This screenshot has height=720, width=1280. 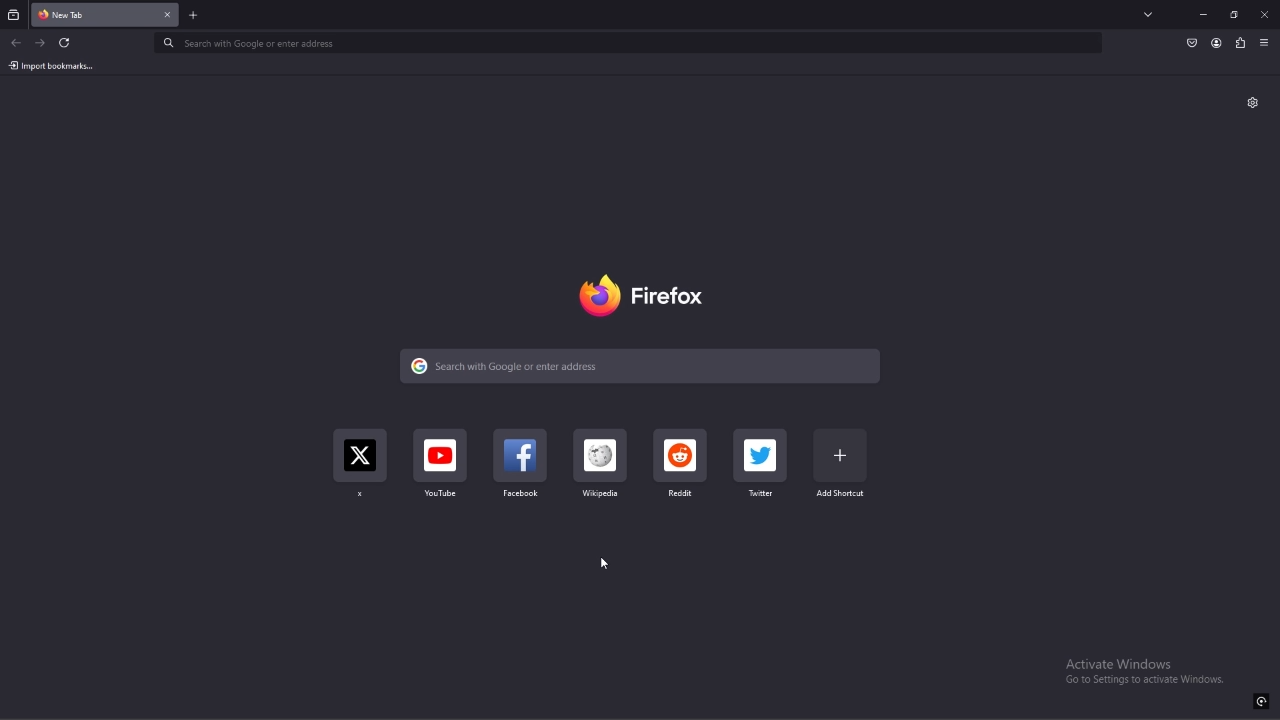 I want to click on close tab, so click(x=167, y=15).